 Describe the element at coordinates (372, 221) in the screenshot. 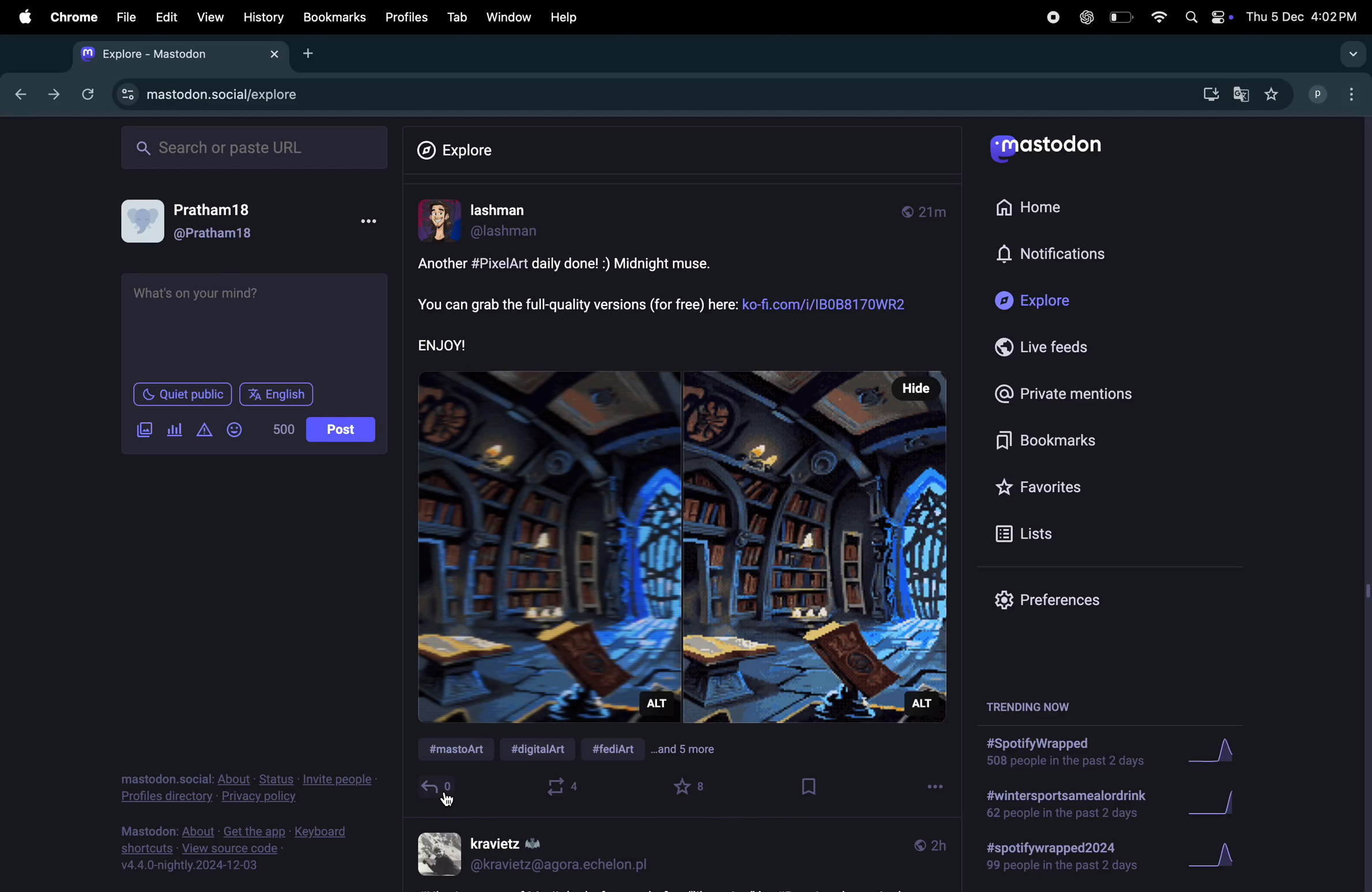

I see `options` at that location.